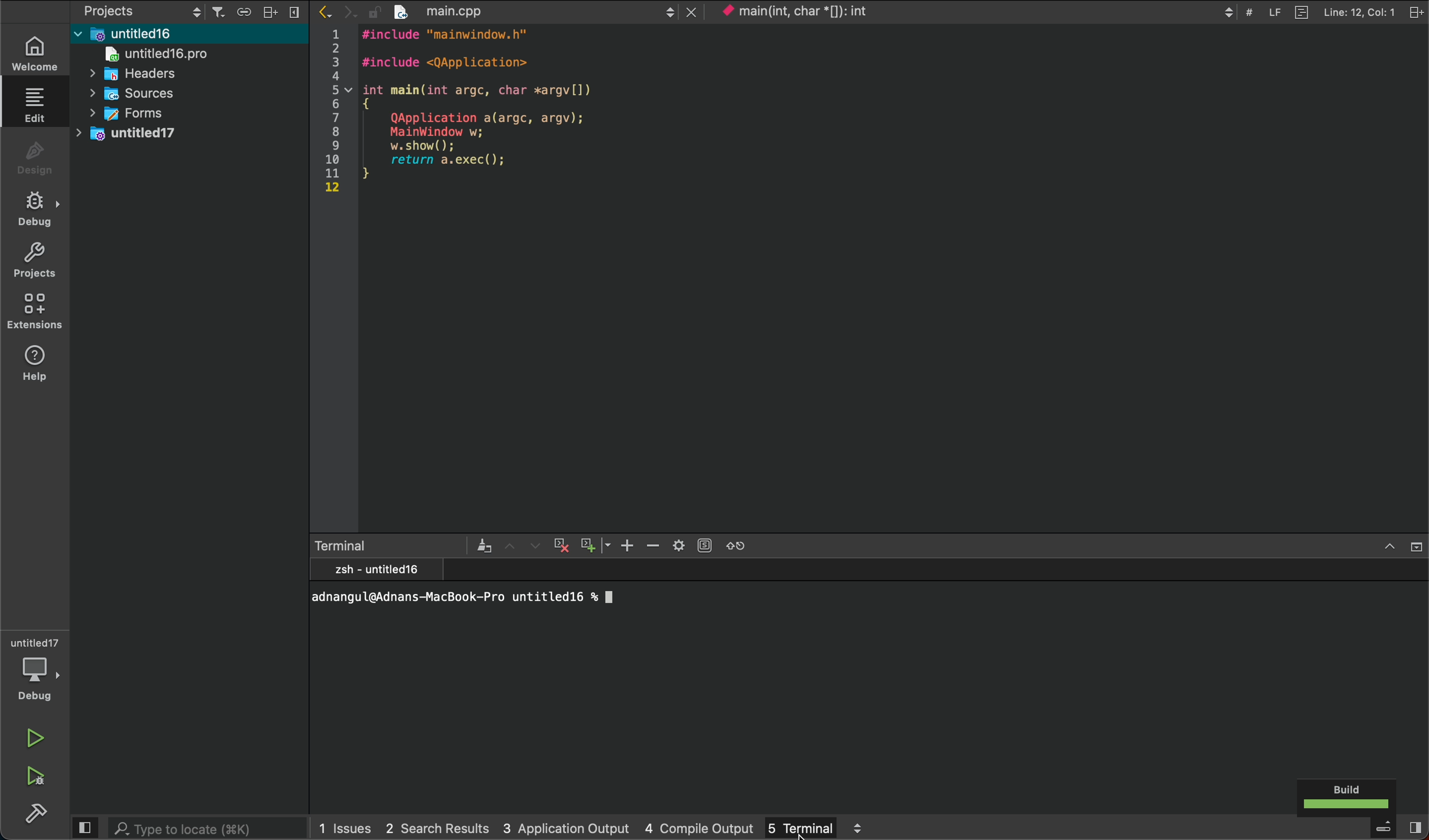 Image resolution: width=1429 pixels, height=840 pixels. I want to click on previous, so click(327, 12).